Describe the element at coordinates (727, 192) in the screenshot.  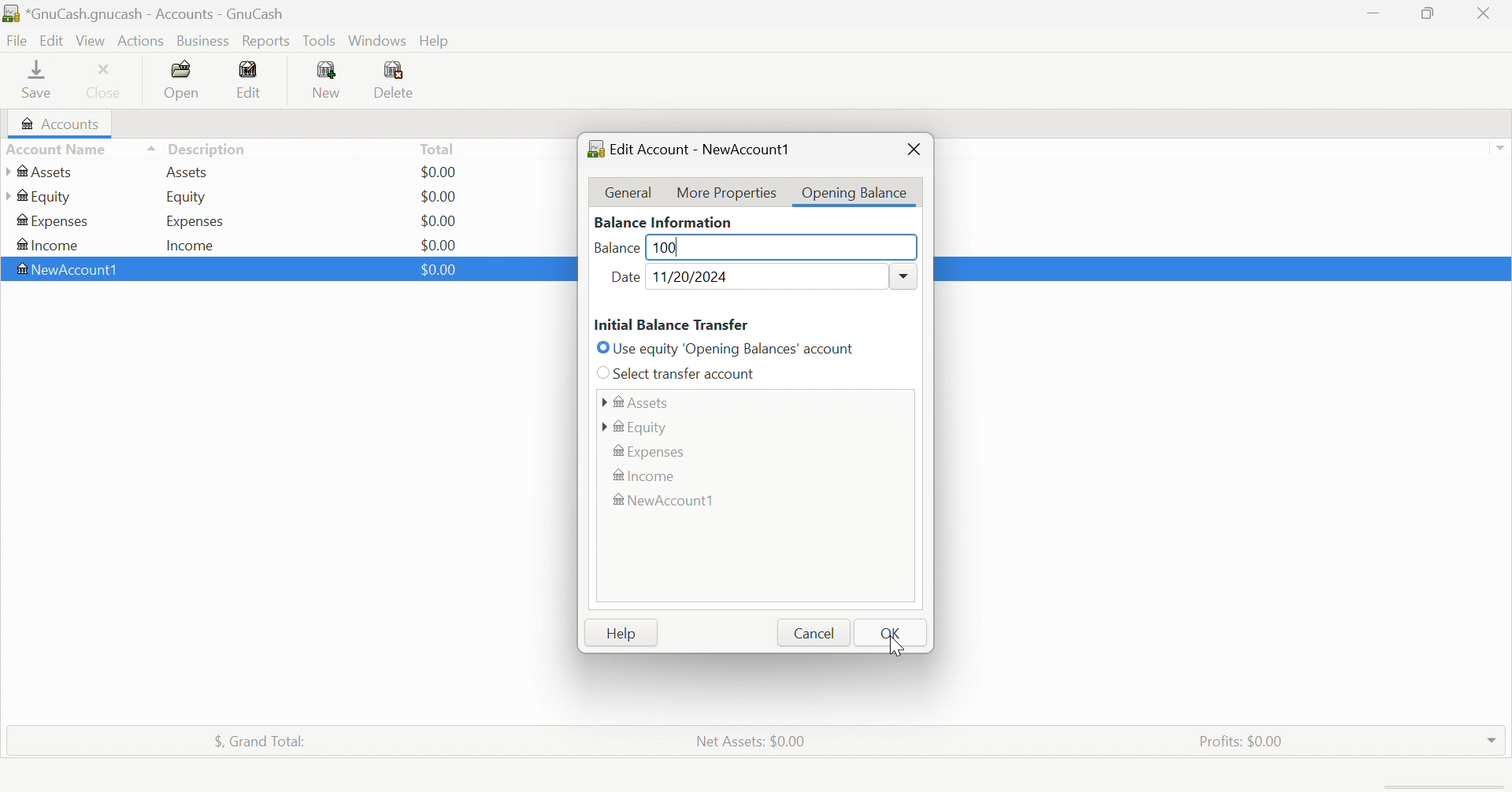
I see `More Properties` at that location.